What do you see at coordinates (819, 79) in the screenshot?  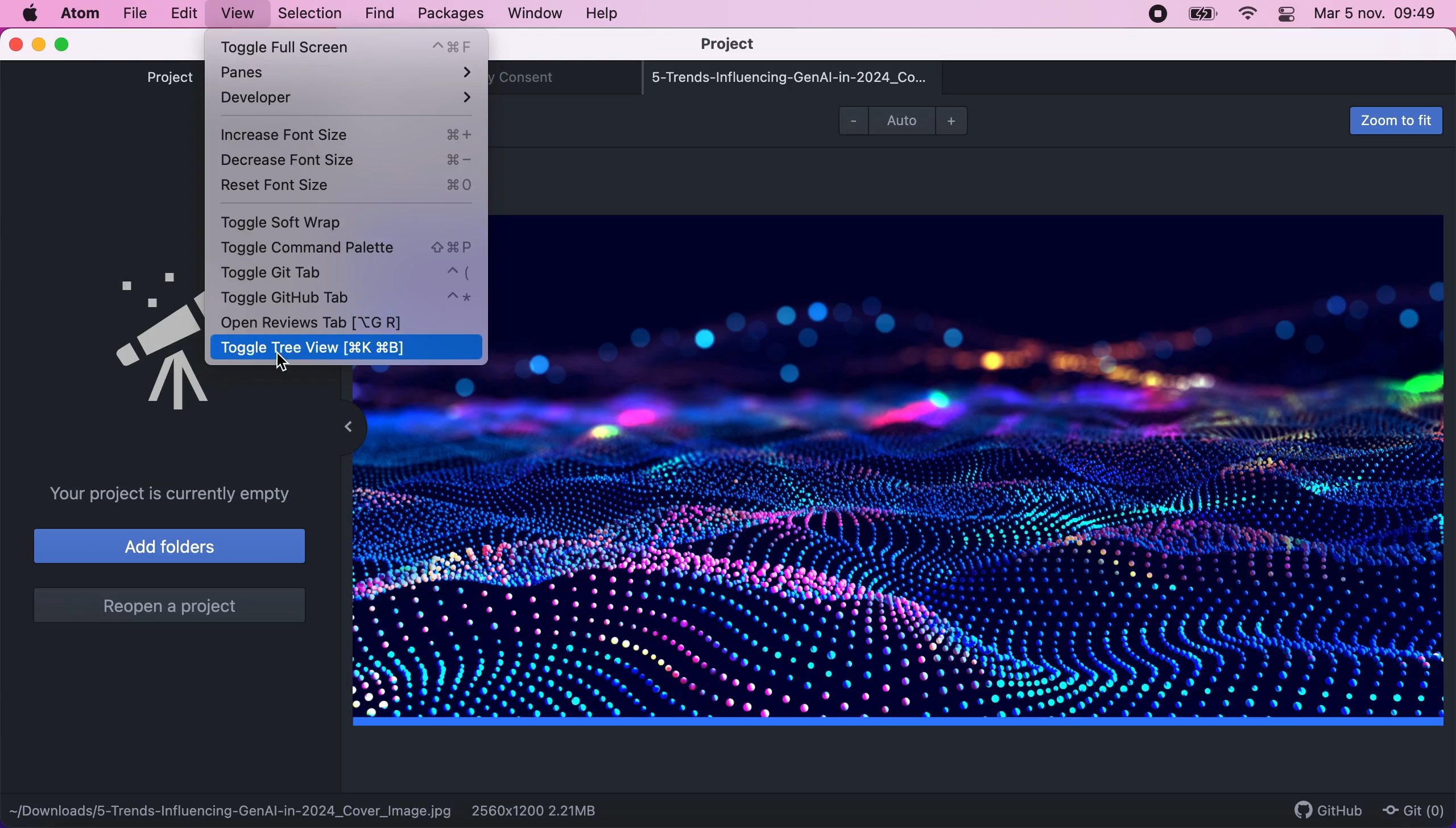 I see `5-trends-influencing-genai-in-2024_co...` at bounding box center [819, 79].